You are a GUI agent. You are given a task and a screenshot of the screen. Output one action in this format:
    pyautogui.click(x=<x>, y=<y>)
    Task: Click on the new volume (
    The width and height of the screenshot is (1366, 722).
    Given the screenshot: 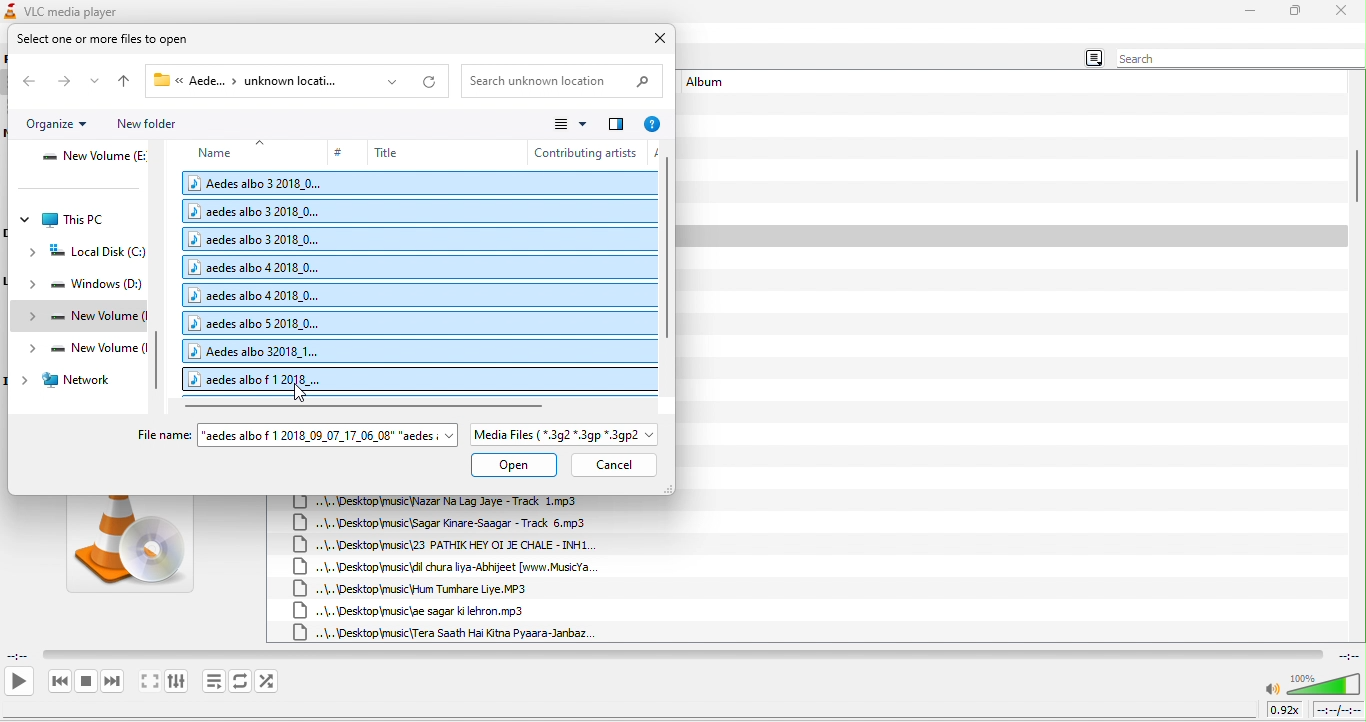 What is the action you would take?
    pyautogui.click(x=83, y=316)
    